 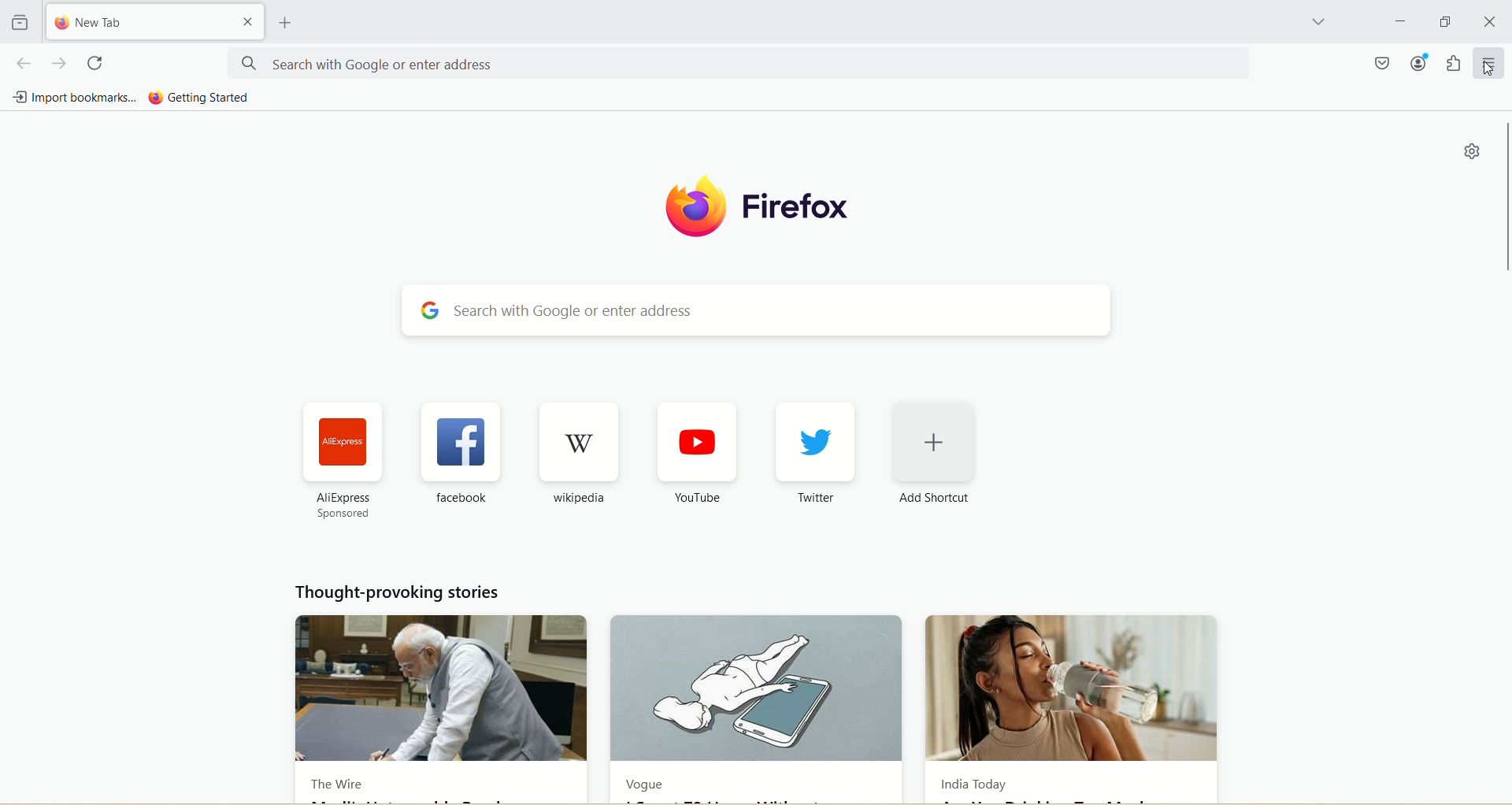 What do you see at coordinates (797, 210) in the screenshot?
I see `firefox` at bounding box center [797, 210].